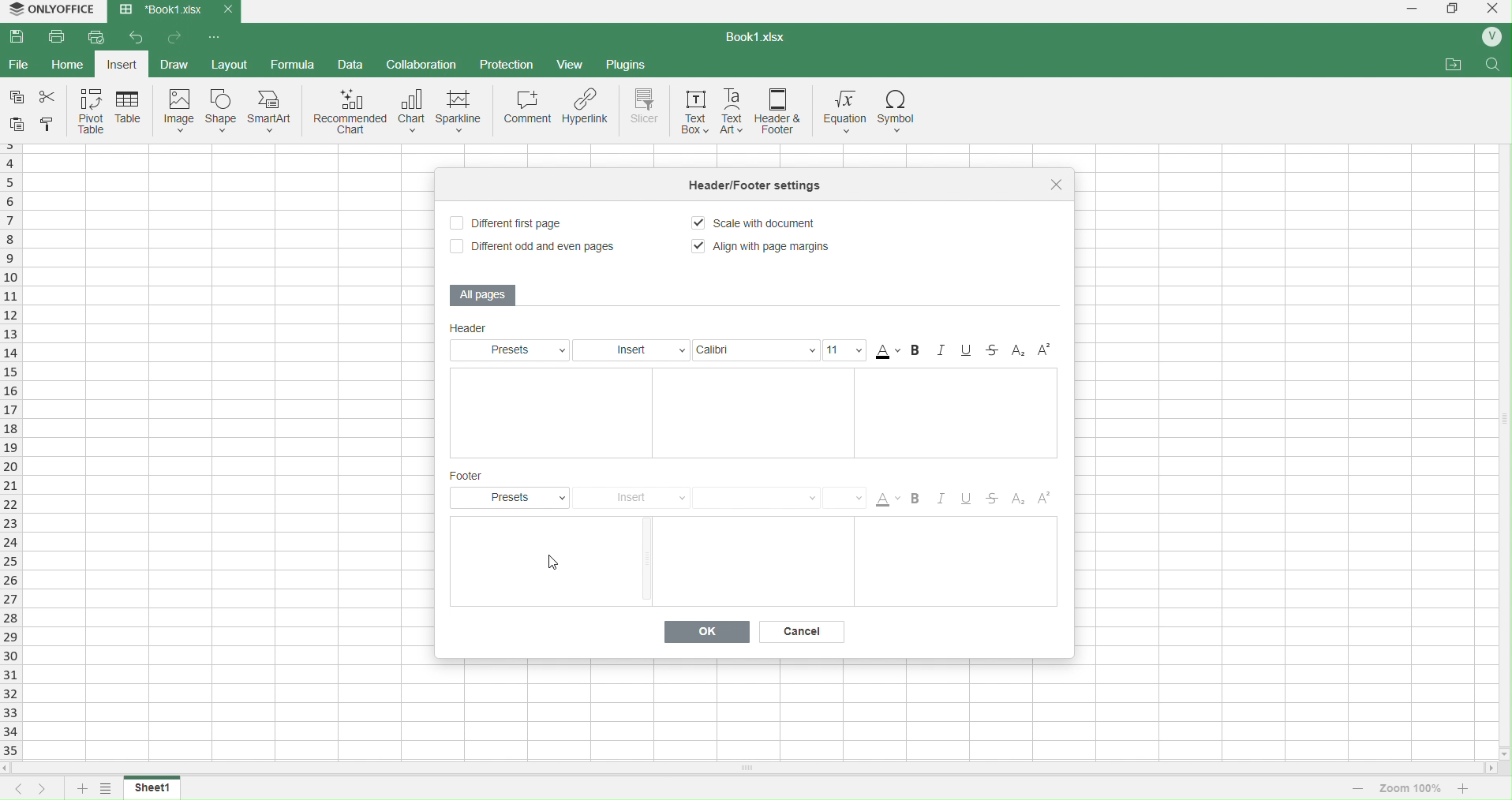  What do you see at coordinates (13, 789) in the screenshot?
I see `previous sheet` at bounding box center [13, 789].